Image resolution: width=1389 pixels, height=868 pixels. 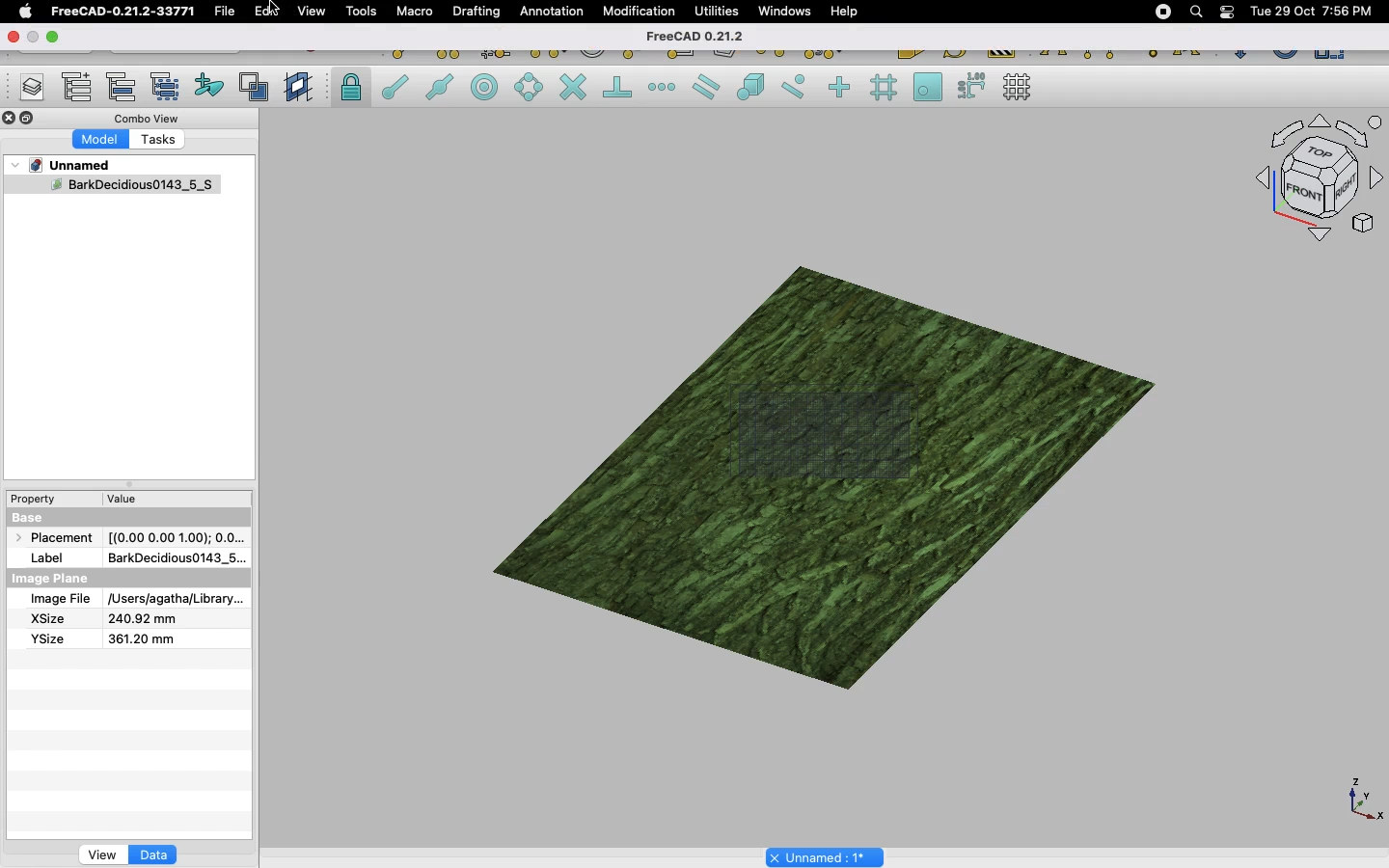 I want to click on Snap near, so click(x=799, y=87).